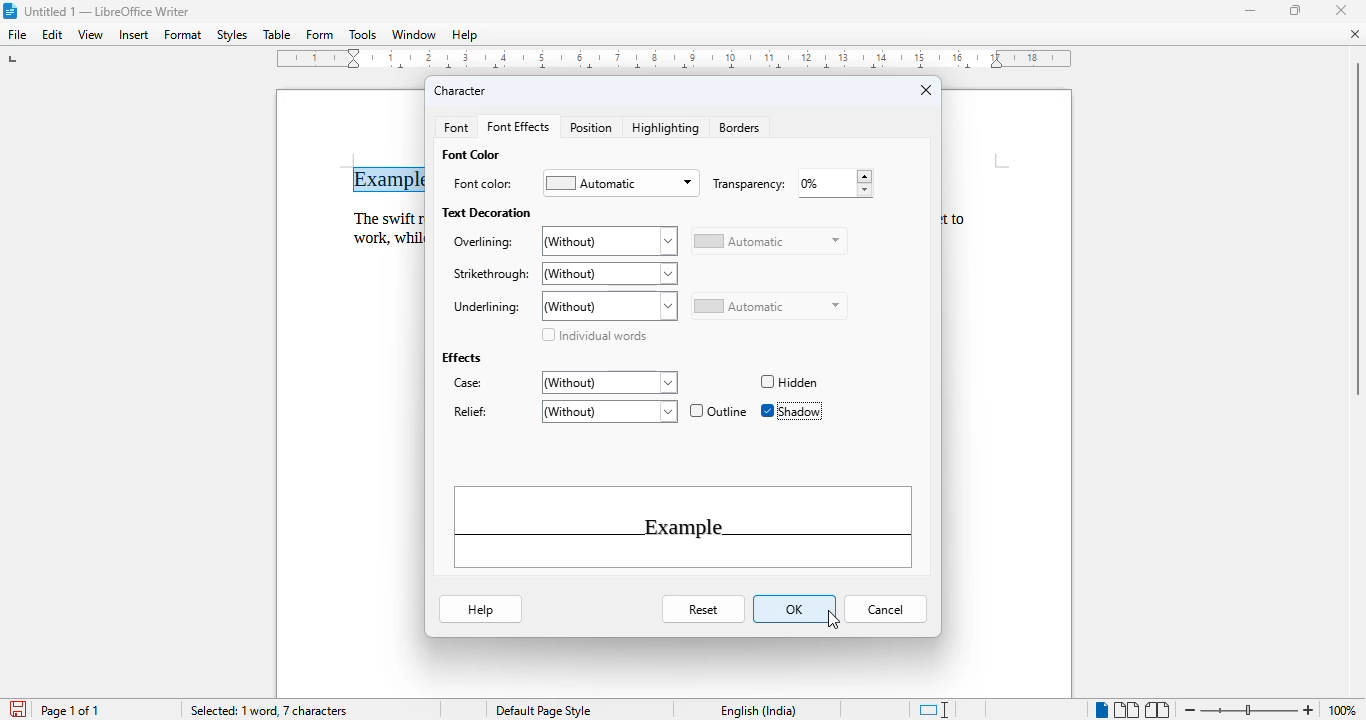 Image resolution: width=1366 pixels, height=720 pixels. Describe the element at coordinates (593, 335) in the screenshot. I see `individual words` at that location.